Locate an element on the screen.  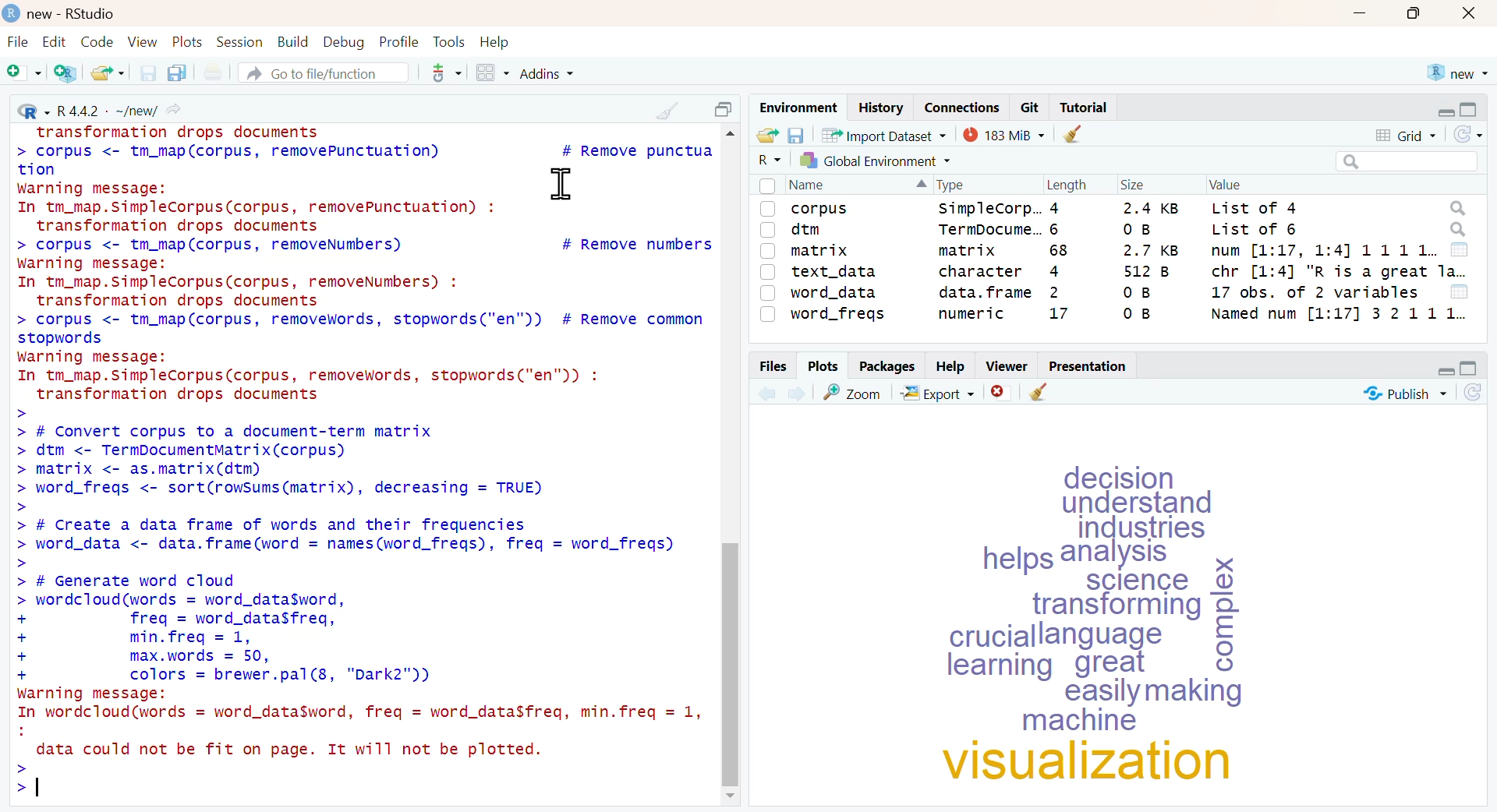
> corpus <- tm_map(corpus, removePunctuation) # Remove punctuationwarning message: In tm_map.SimpleCorpus(corpus, removePunctuation) :transformation drops documents is located at coordinates (363, 188).